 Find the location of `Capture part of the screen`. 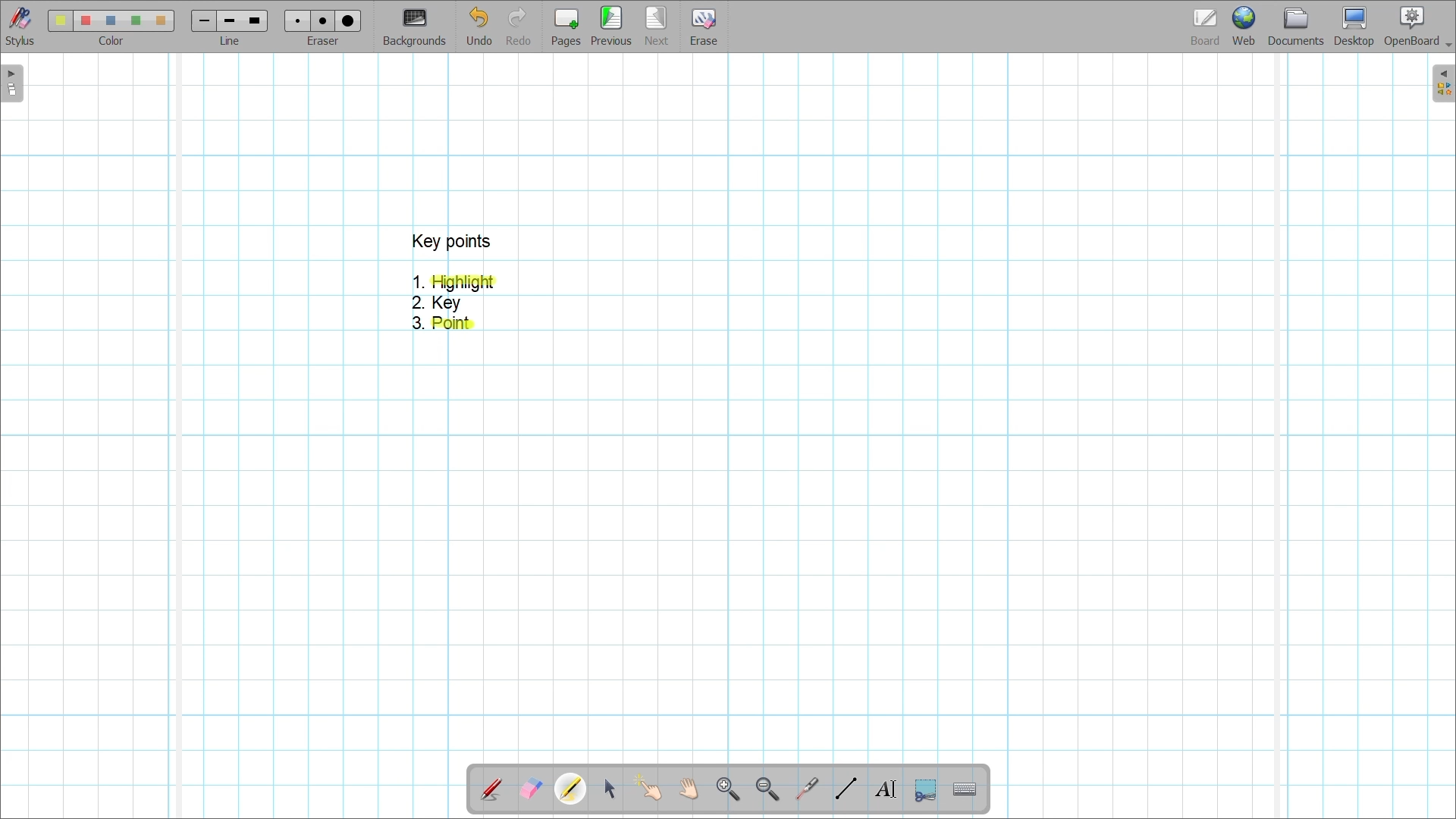

Capture part of the screen is located at coordinates (926, 791).